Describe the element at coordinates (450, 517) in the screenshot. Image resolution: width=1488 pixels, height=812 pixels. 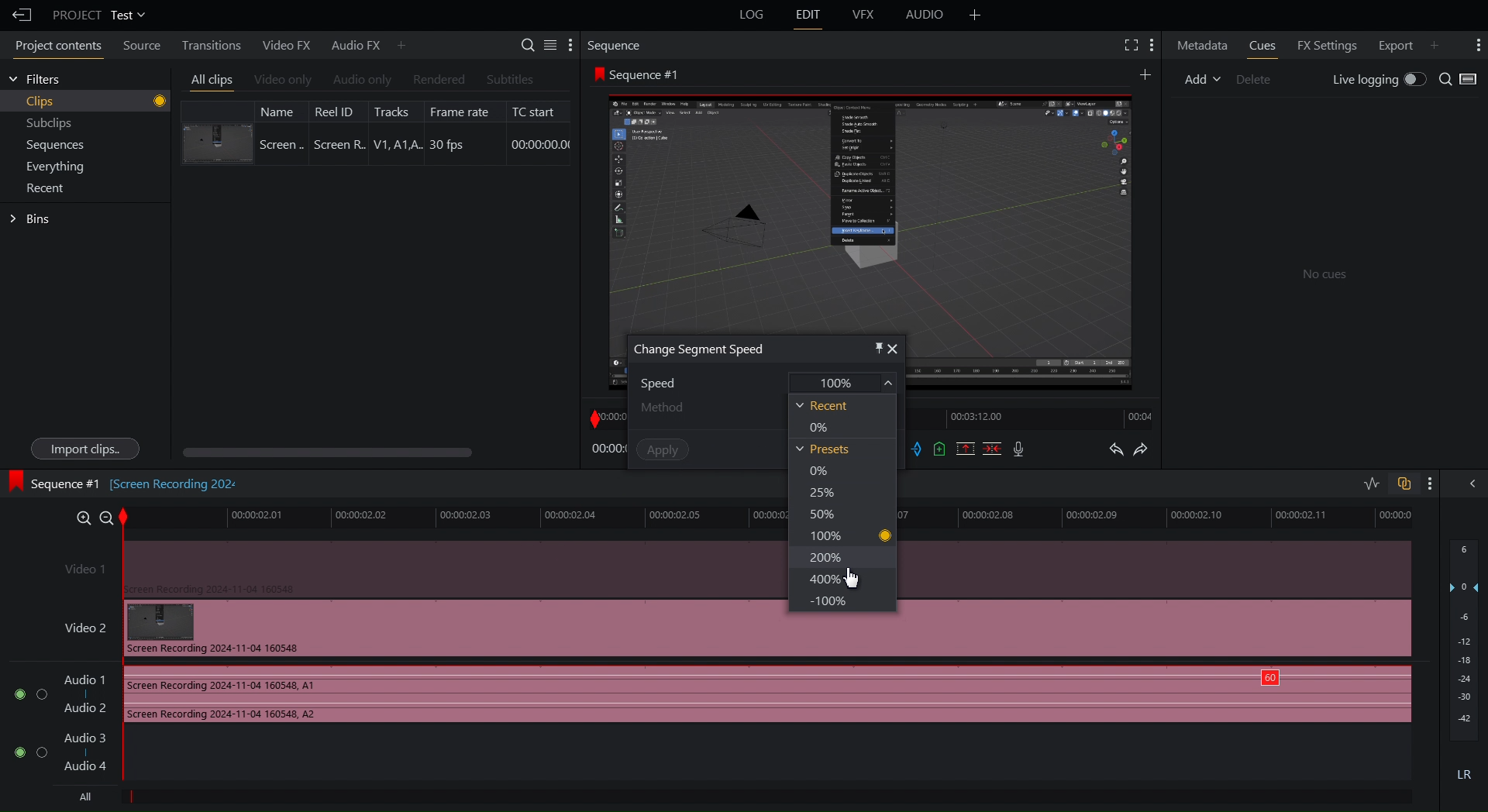
I see `Timeline` at that location.